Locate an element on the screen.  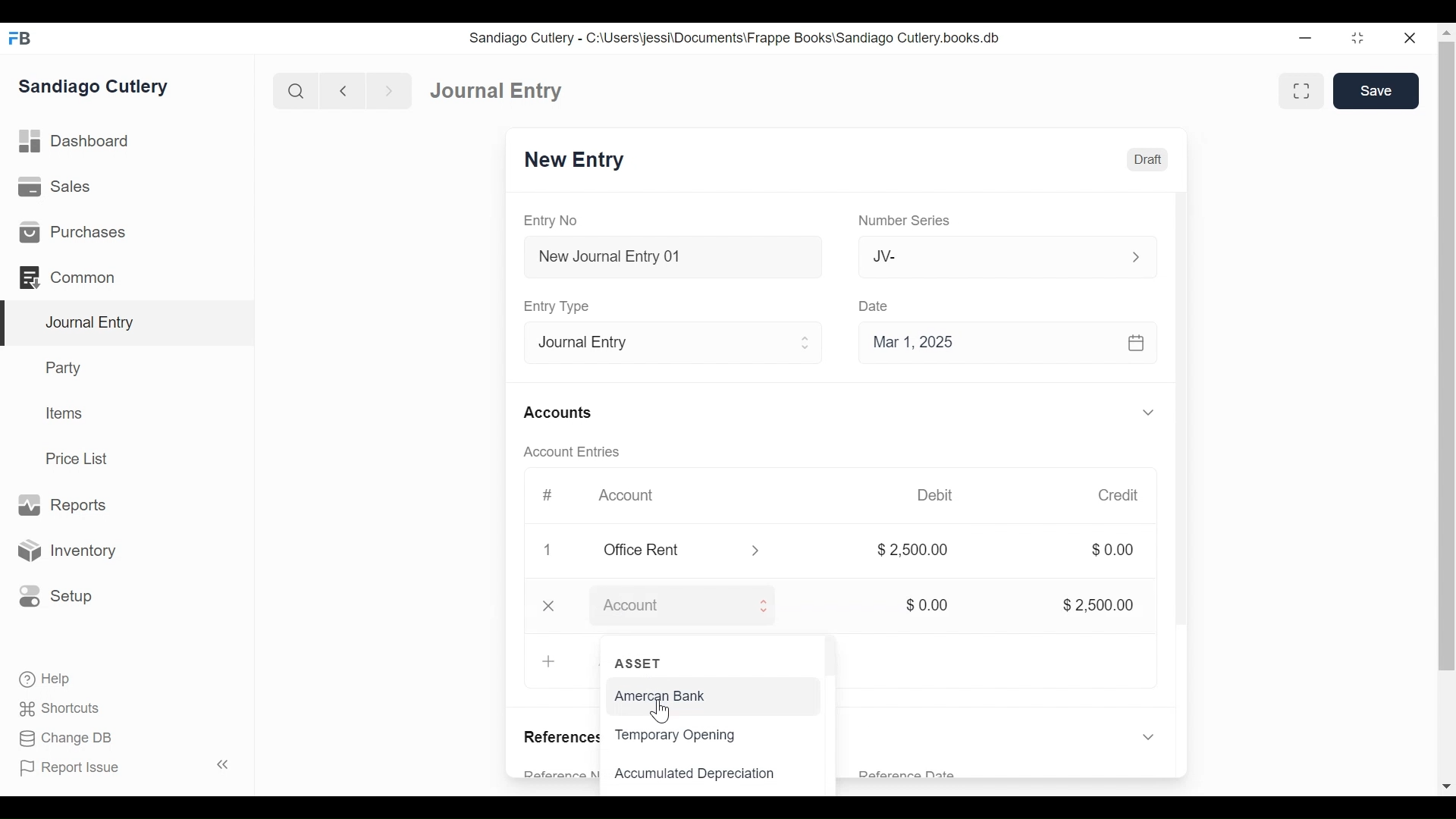
Entry Type is located at coordinates (678, 340).